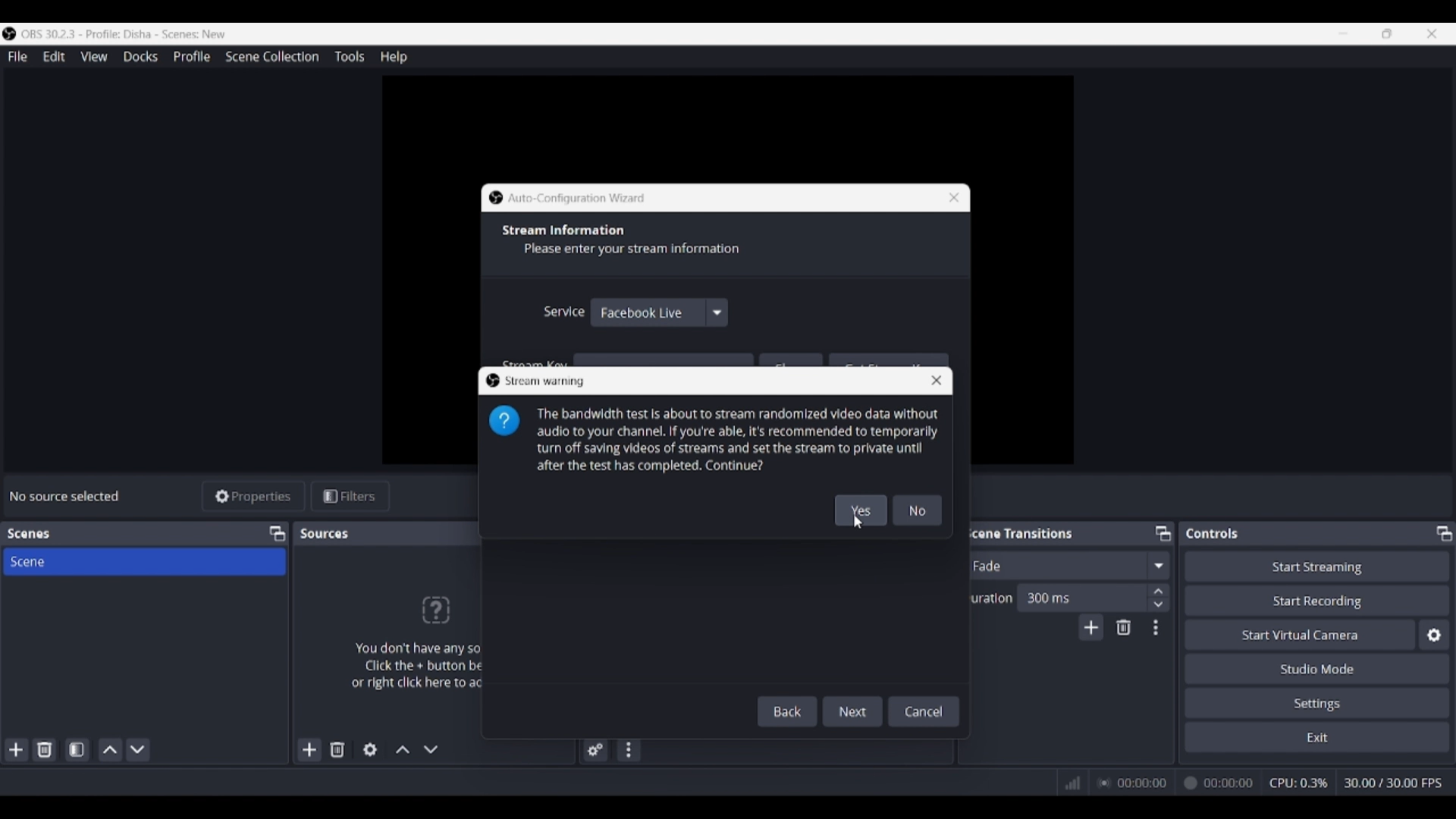  Describe the element at coordinates (370, 750) in the screenshot. I see `Open source properties` at that location.